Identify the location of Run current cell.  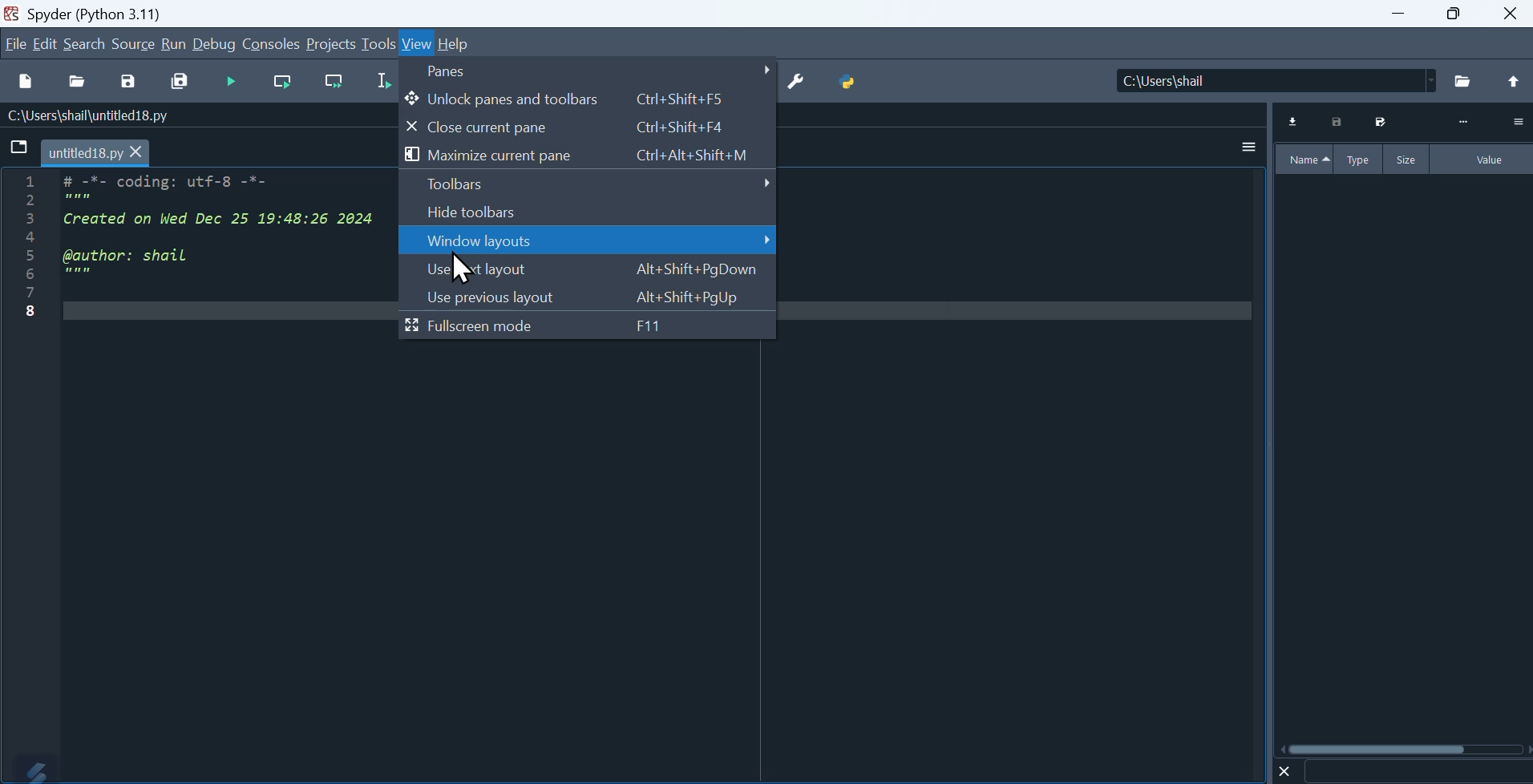
(282, 83).